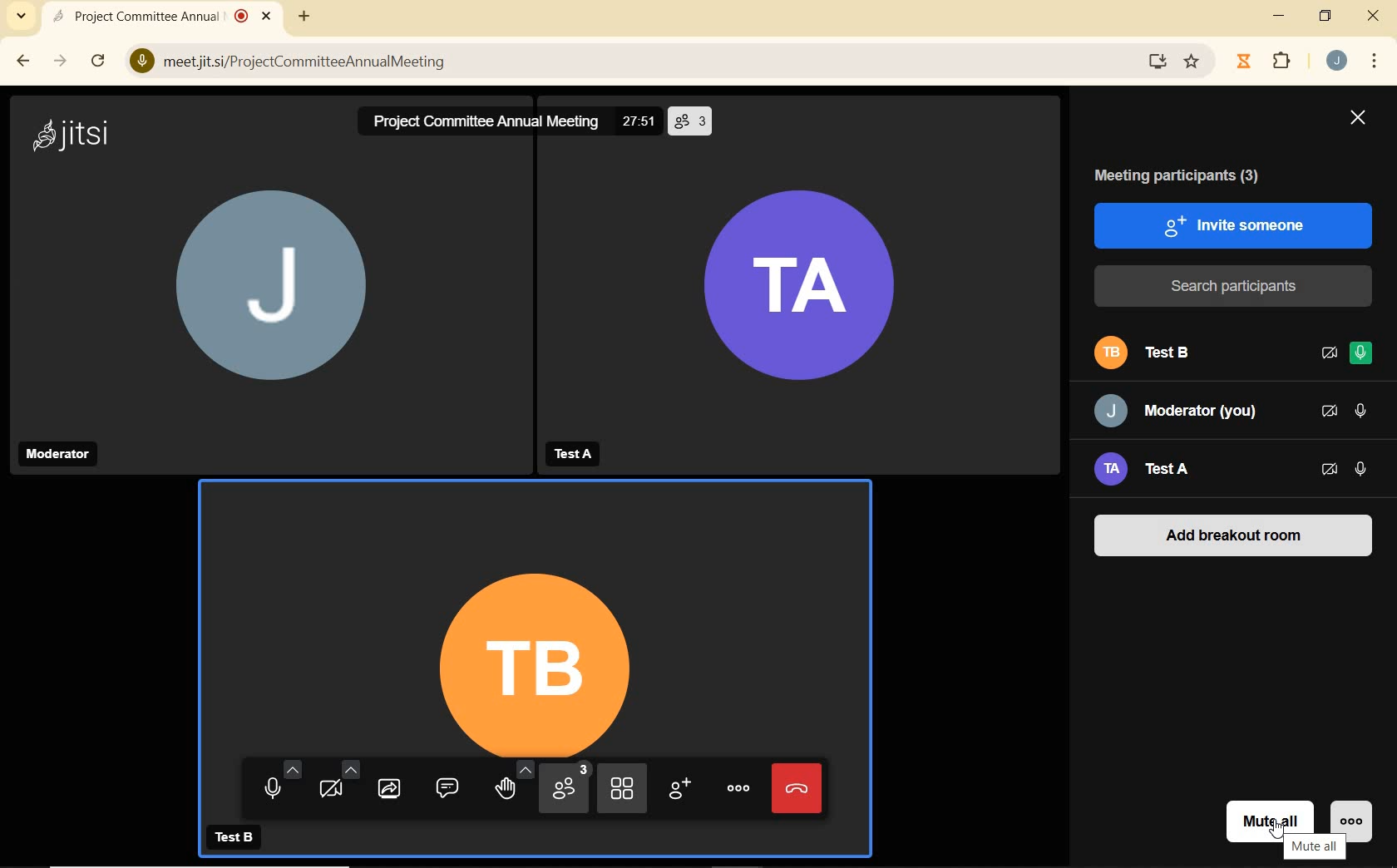  Describe the element at coordinates (738, 787) in the screenshot. I see `MORE ACTIONS` at that location.